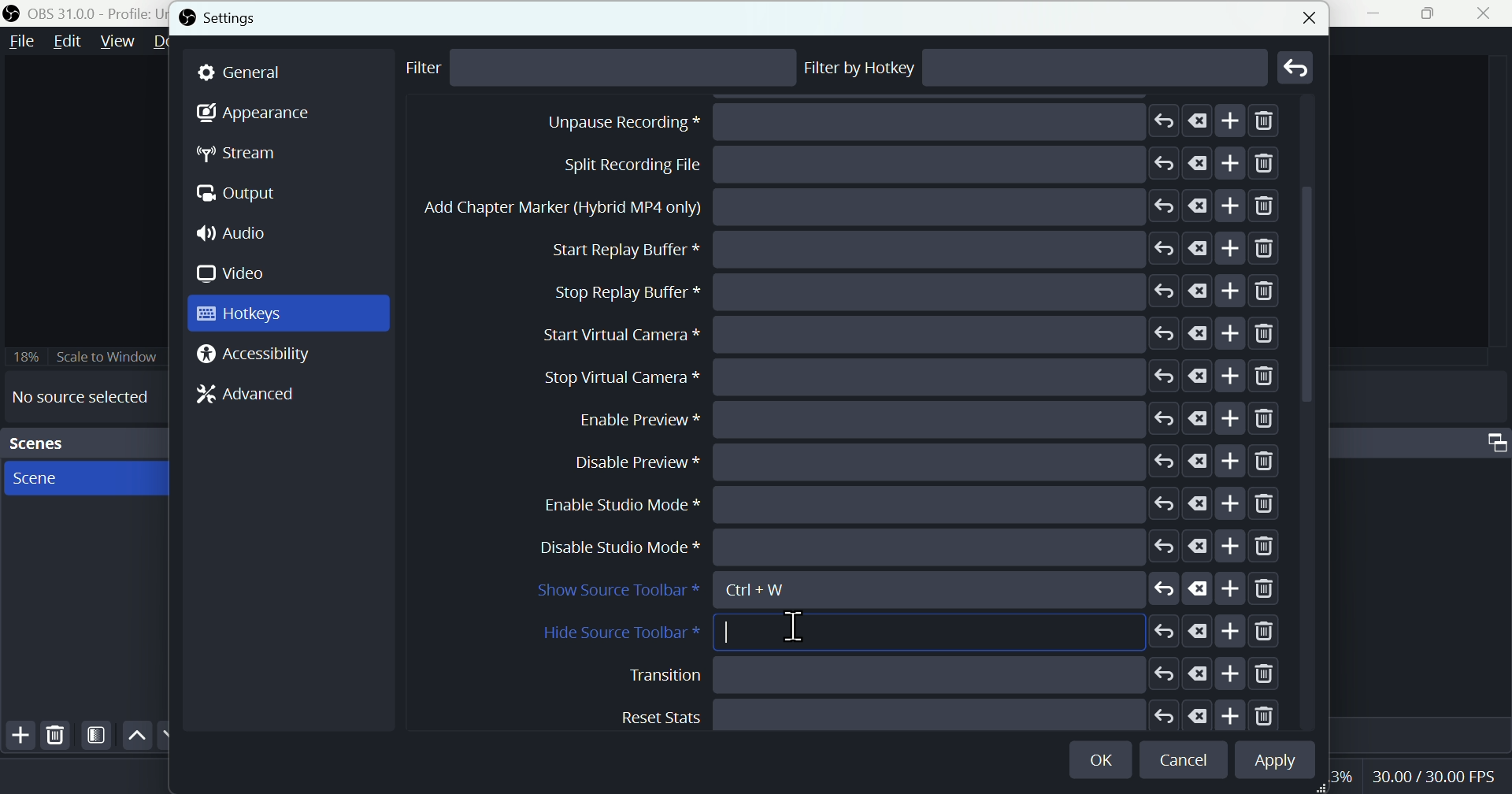 This screenshot has width=1512, height=794. I want to click on Enable studio mode, so click(917, 713).